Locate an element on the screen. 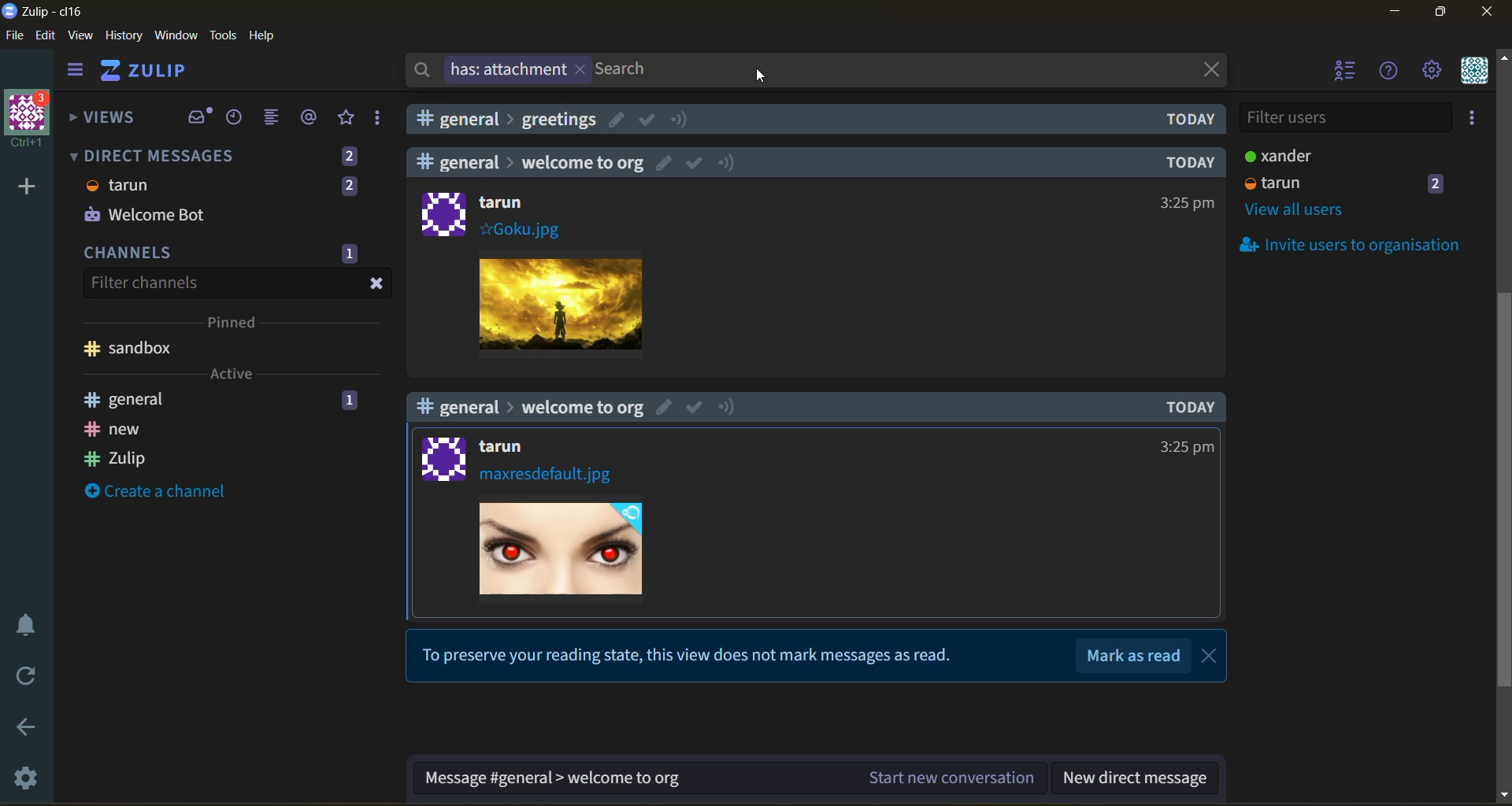  tarun is located at coordinates (505, 201).